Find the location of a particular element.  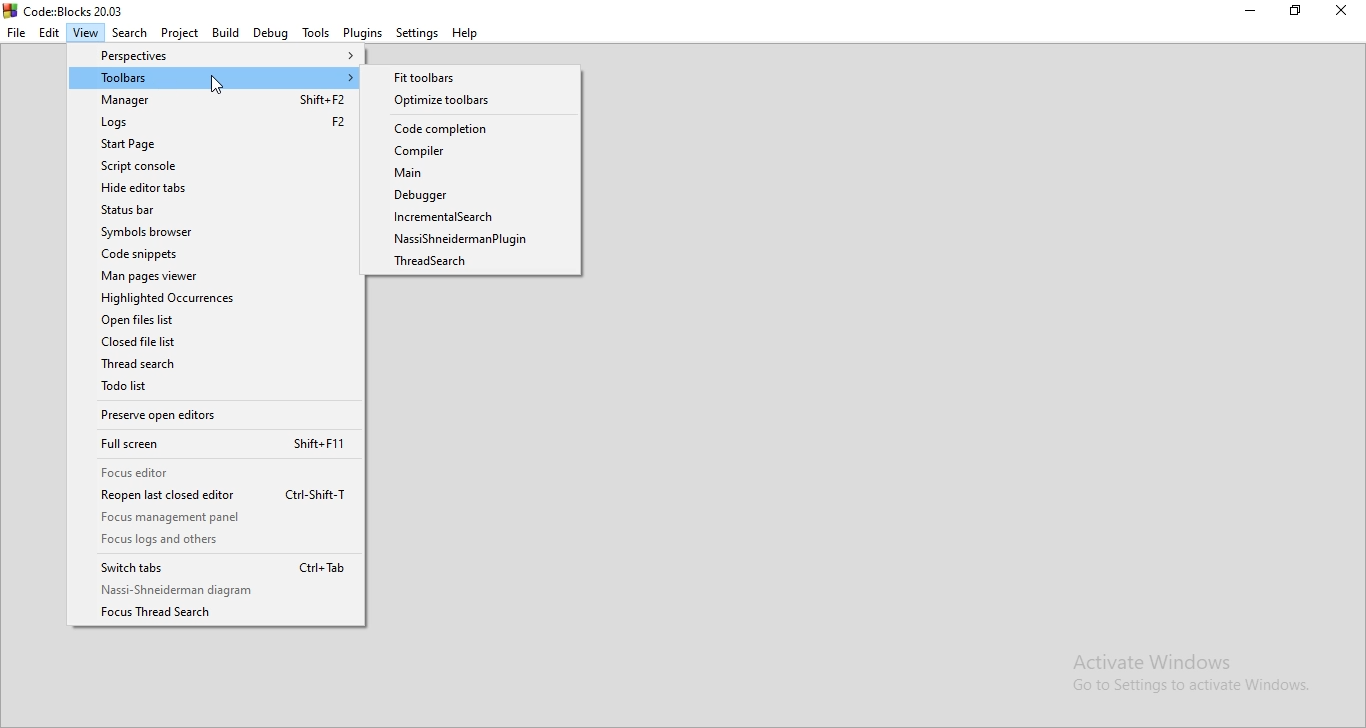

Tools  is located at coordinates (317, 33).